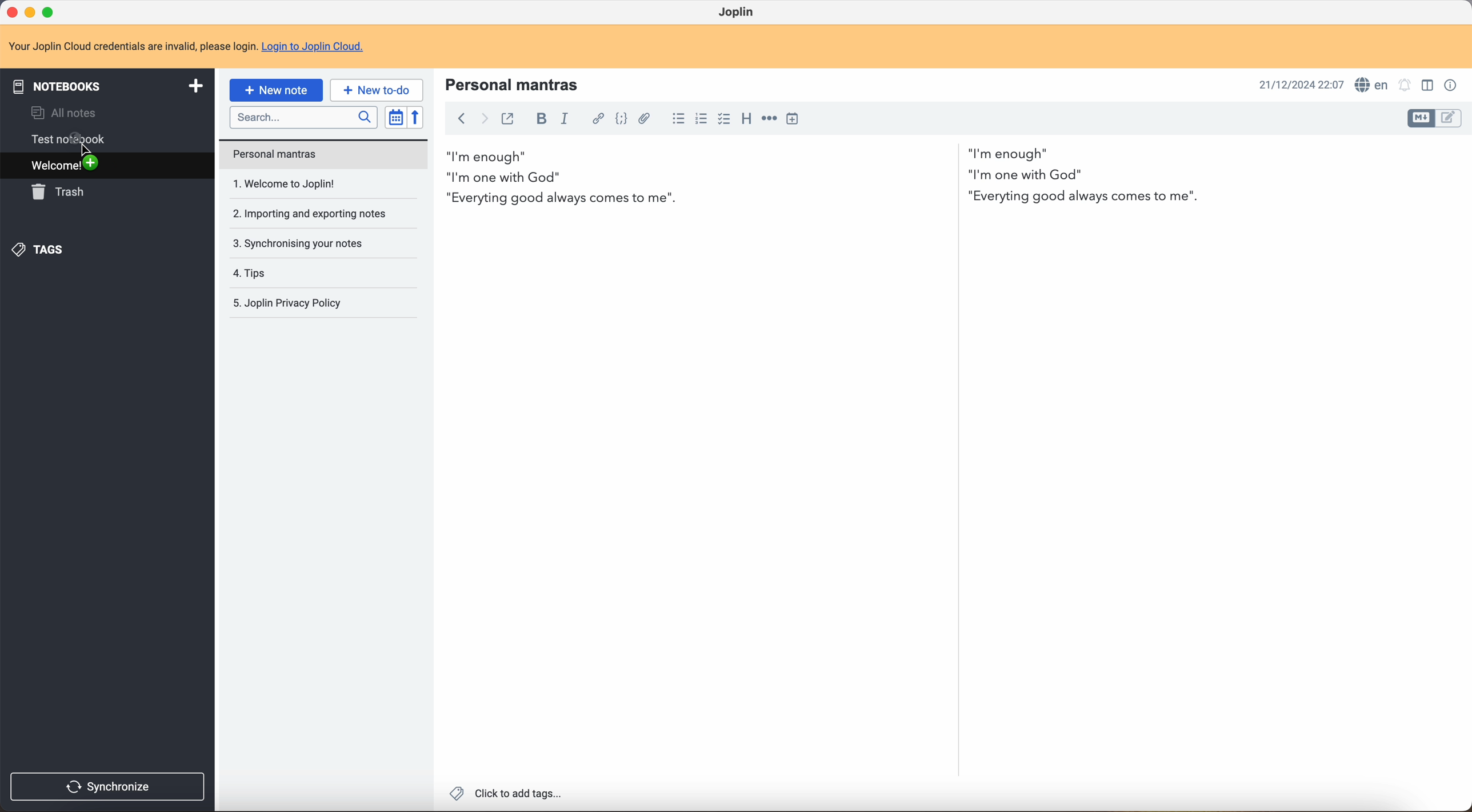 This screenshot has height=812, width=1472. Describe the element at coordinates (308, 215) in the screenshot. I see `importing and exporting notes` at that location.